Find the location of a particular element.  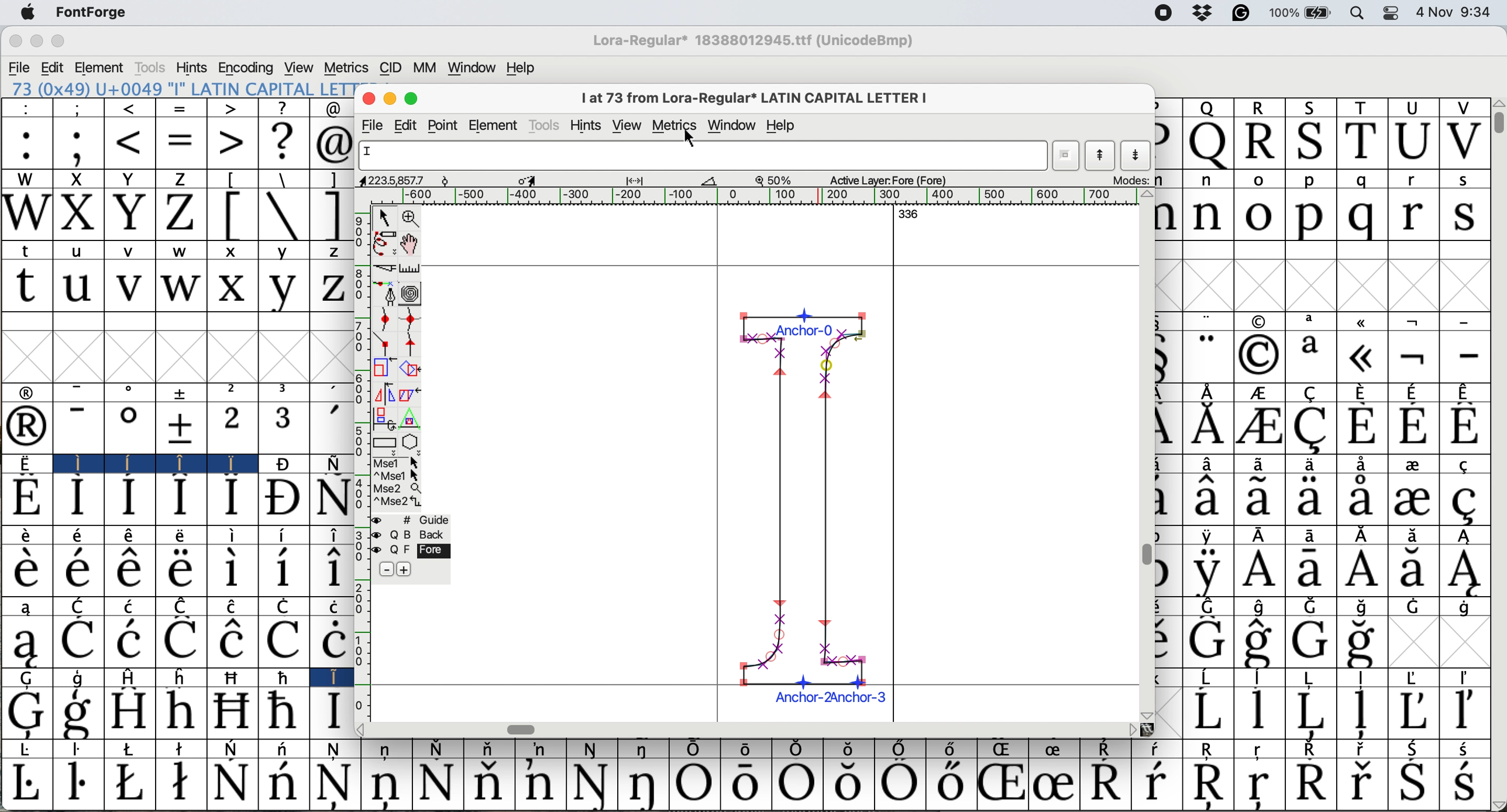

Symbol is located at coordinates (26, 463).